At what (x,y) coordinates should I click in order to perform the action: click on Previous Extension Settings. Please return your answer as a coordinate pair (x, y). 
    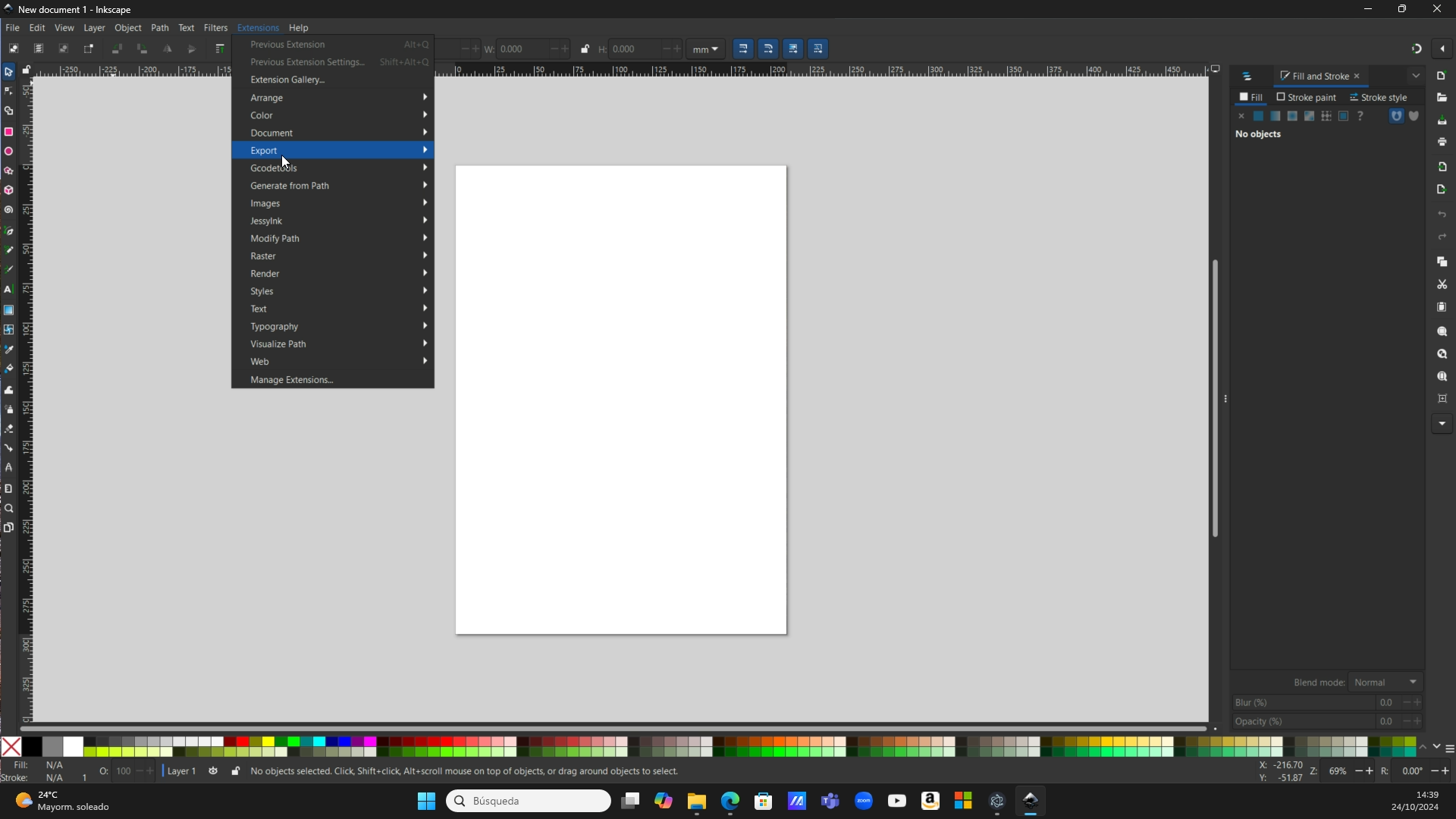
    Looking at the image, I should click on (338, 63).